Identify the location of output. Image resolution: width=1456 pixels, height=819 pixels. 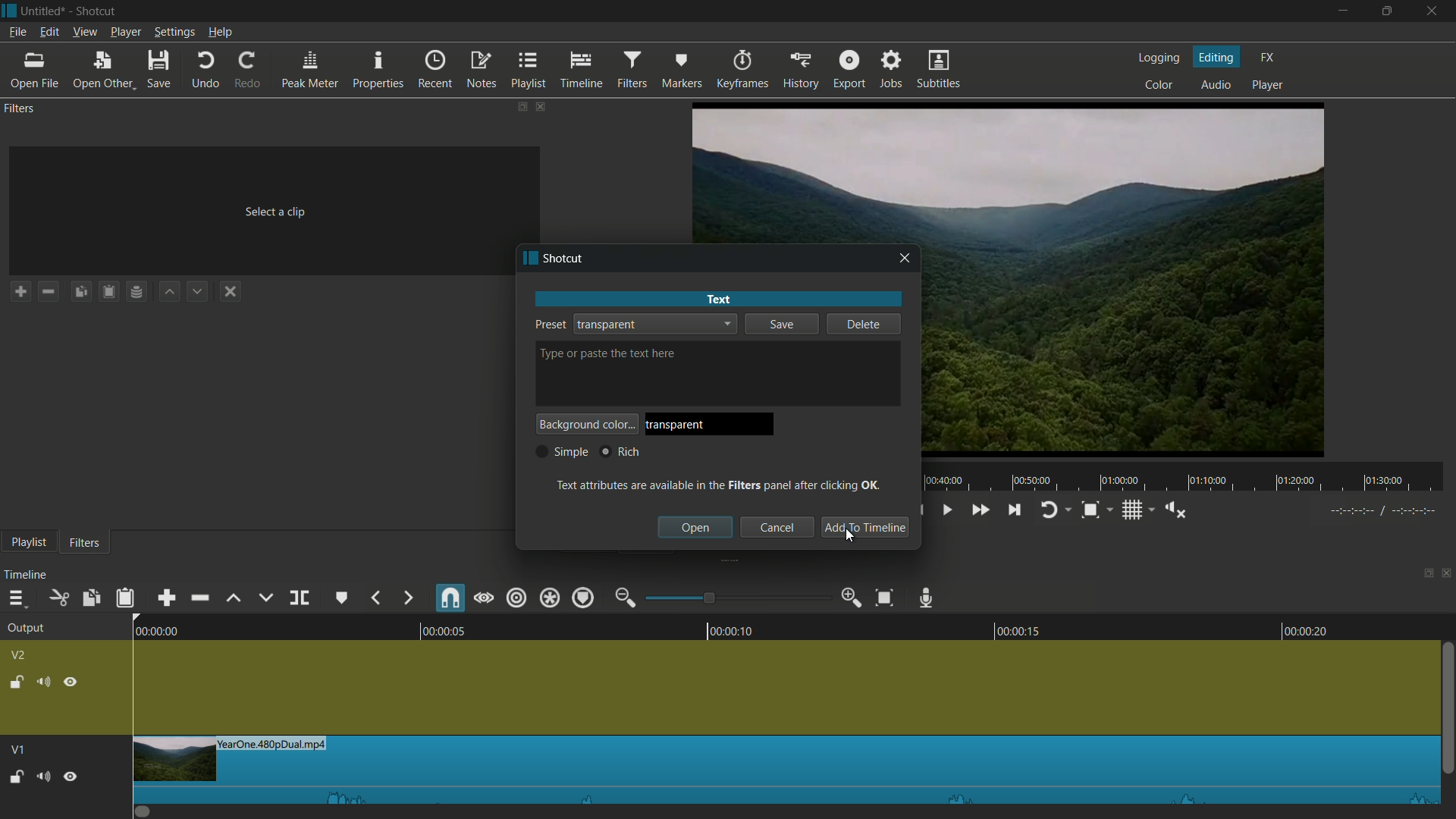
(24, 629).